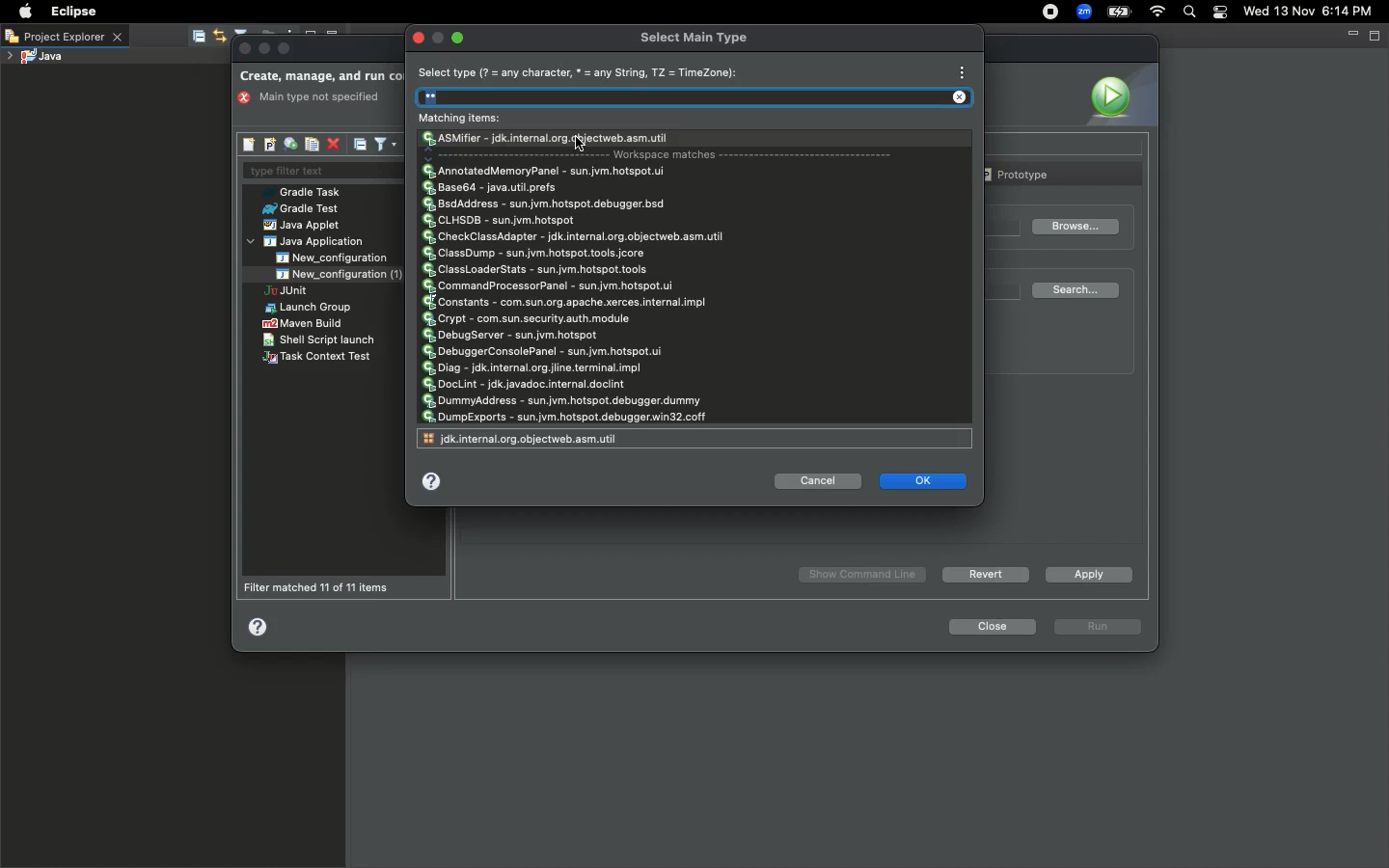 This screenshot has width=1389, height=868. What do you see at coordinates (1099, 628) in the screenshot?
I see `run` at bounding box center [1099, 628].